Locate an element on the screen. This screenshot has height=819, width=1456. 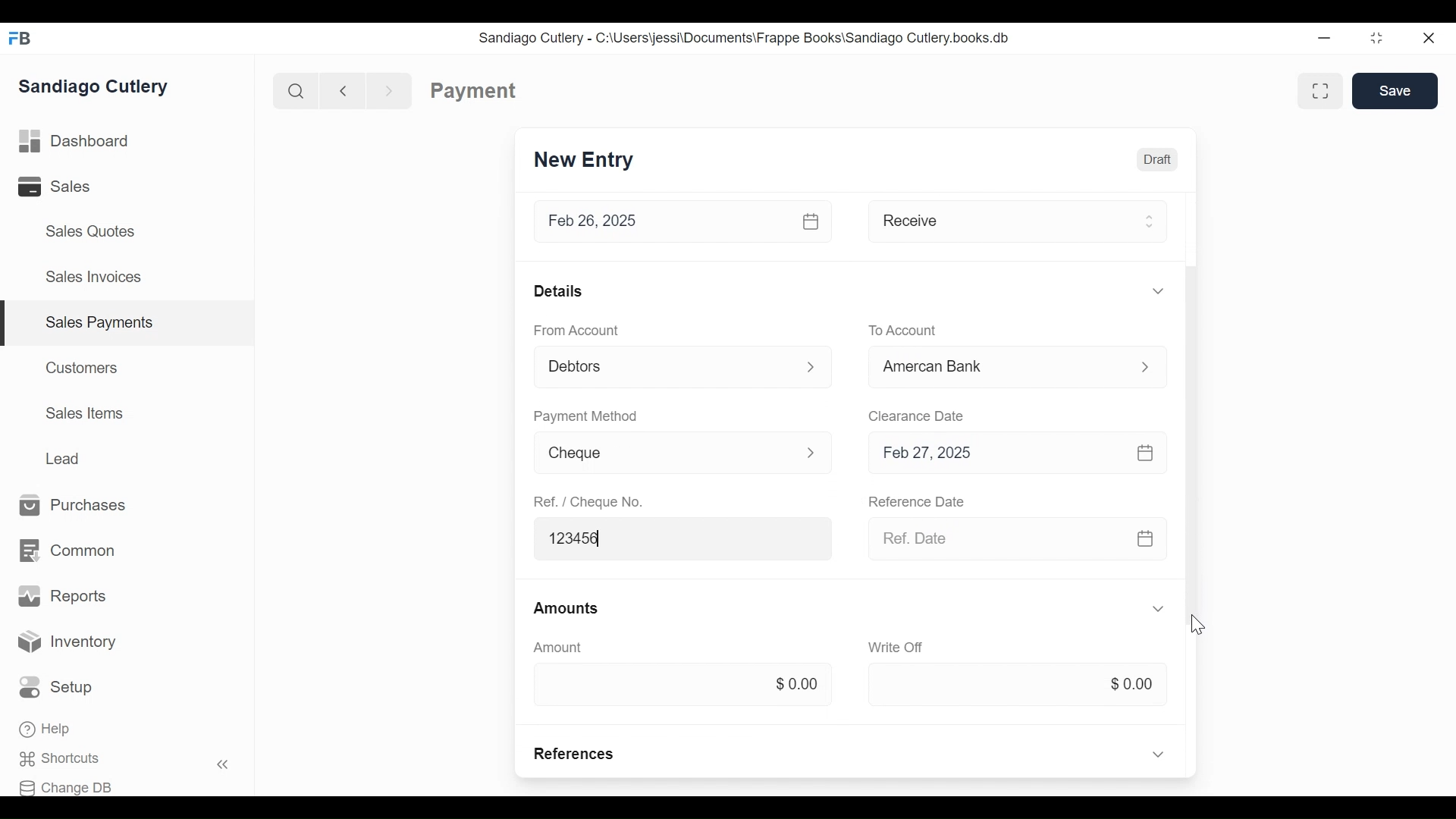
Expand is located at coordinates (811, 451).